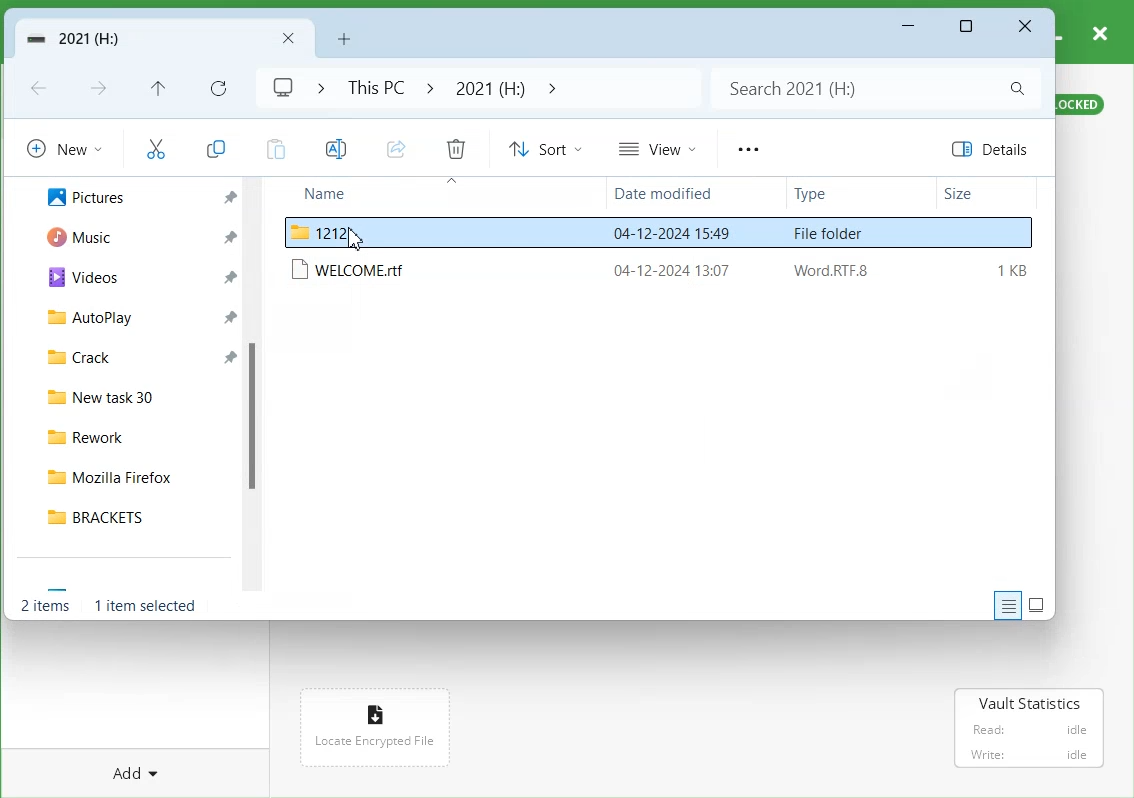 This screenshot has height=798, width=1134. What do you see at coordinates (1027, 755) in the screenshot?
I see `‘Write: idle` at bounding box center [1027, 755].